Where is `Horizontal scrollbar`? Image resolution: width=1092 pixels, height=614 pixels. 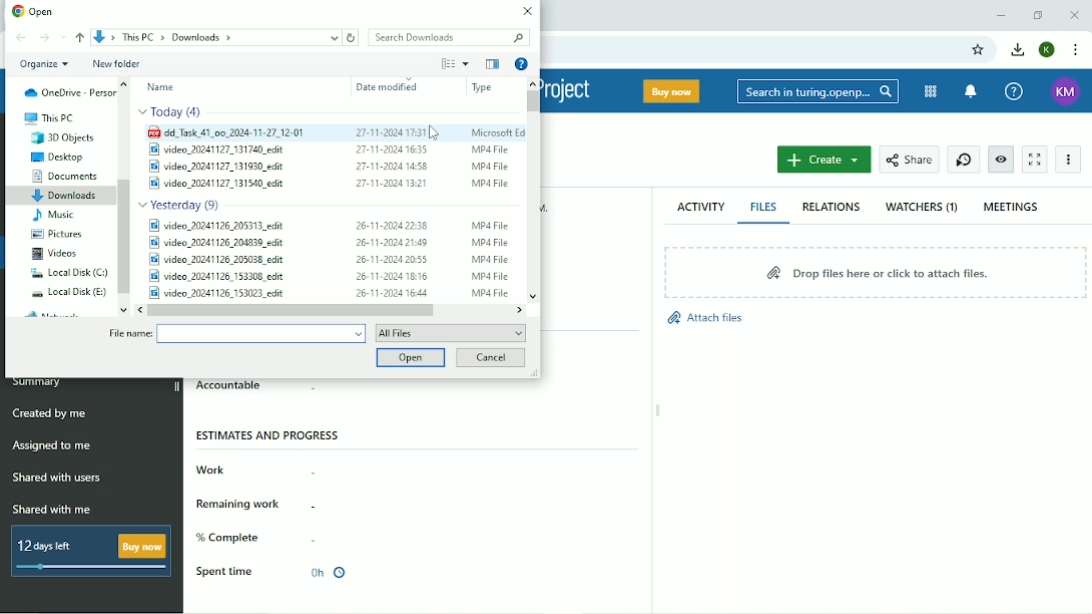
Horizontal scrollbar is located at coordinates (290, 310).